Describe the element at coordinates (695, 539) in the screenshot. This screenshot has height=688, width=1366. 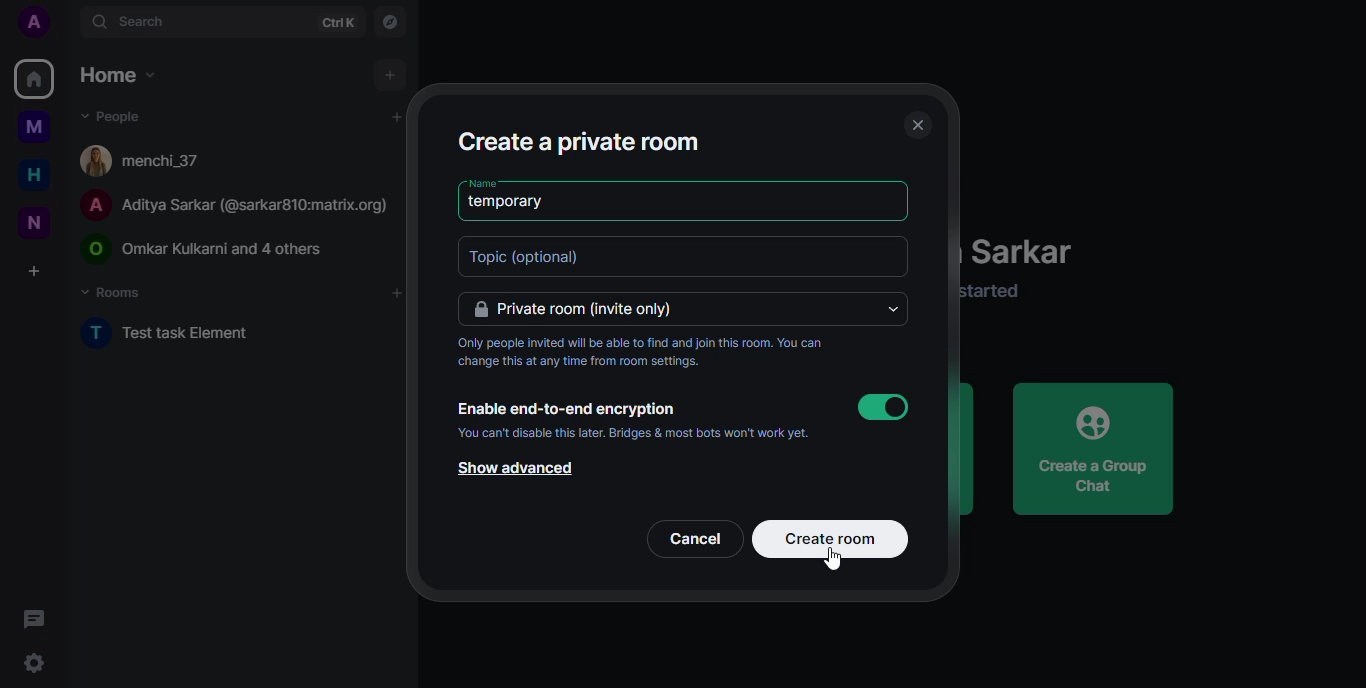
I see `cancel` at that location.